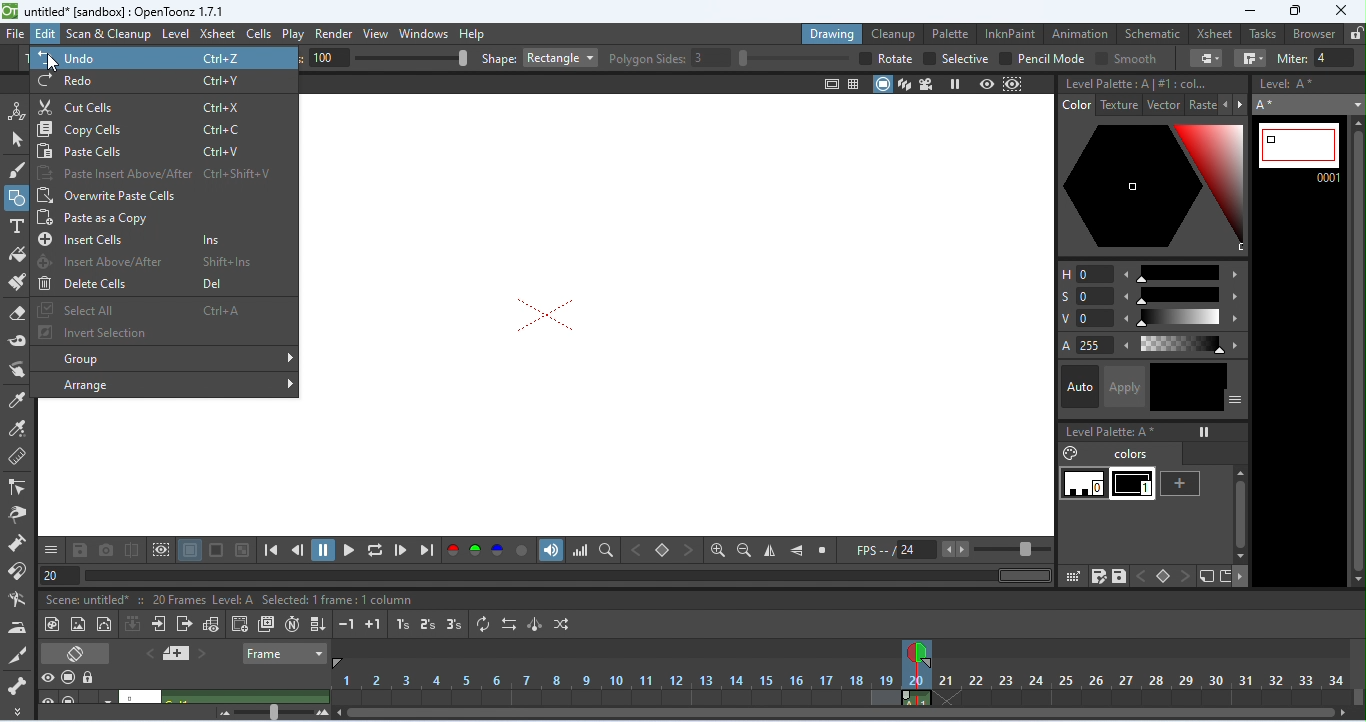 The image size is (1366, 722). What do you see at coordinates (157, 217) in the screenshot?
I see `paste as a copy` at bounding box center [157, 217].